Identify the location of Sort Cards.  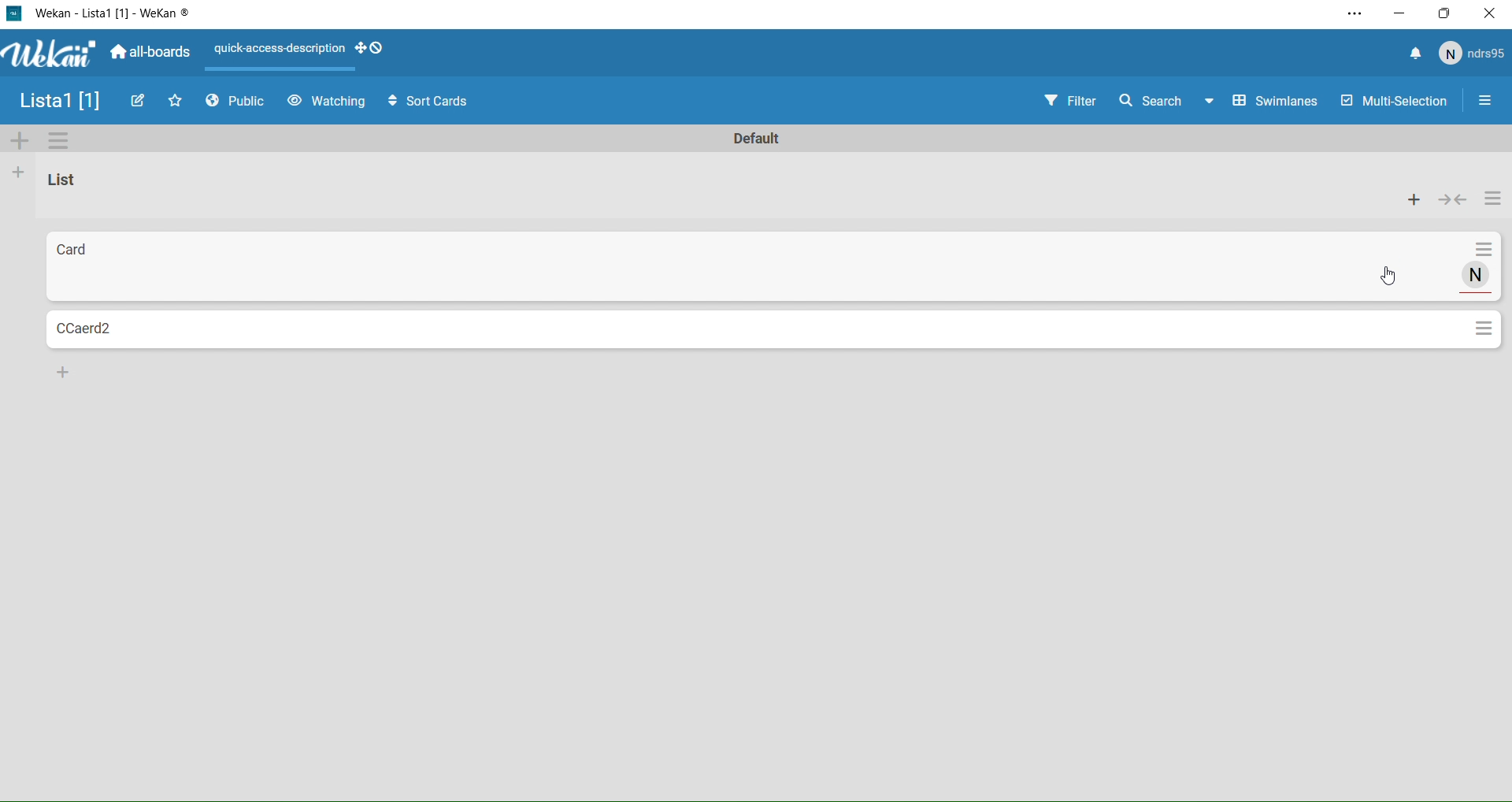
(421, 100).